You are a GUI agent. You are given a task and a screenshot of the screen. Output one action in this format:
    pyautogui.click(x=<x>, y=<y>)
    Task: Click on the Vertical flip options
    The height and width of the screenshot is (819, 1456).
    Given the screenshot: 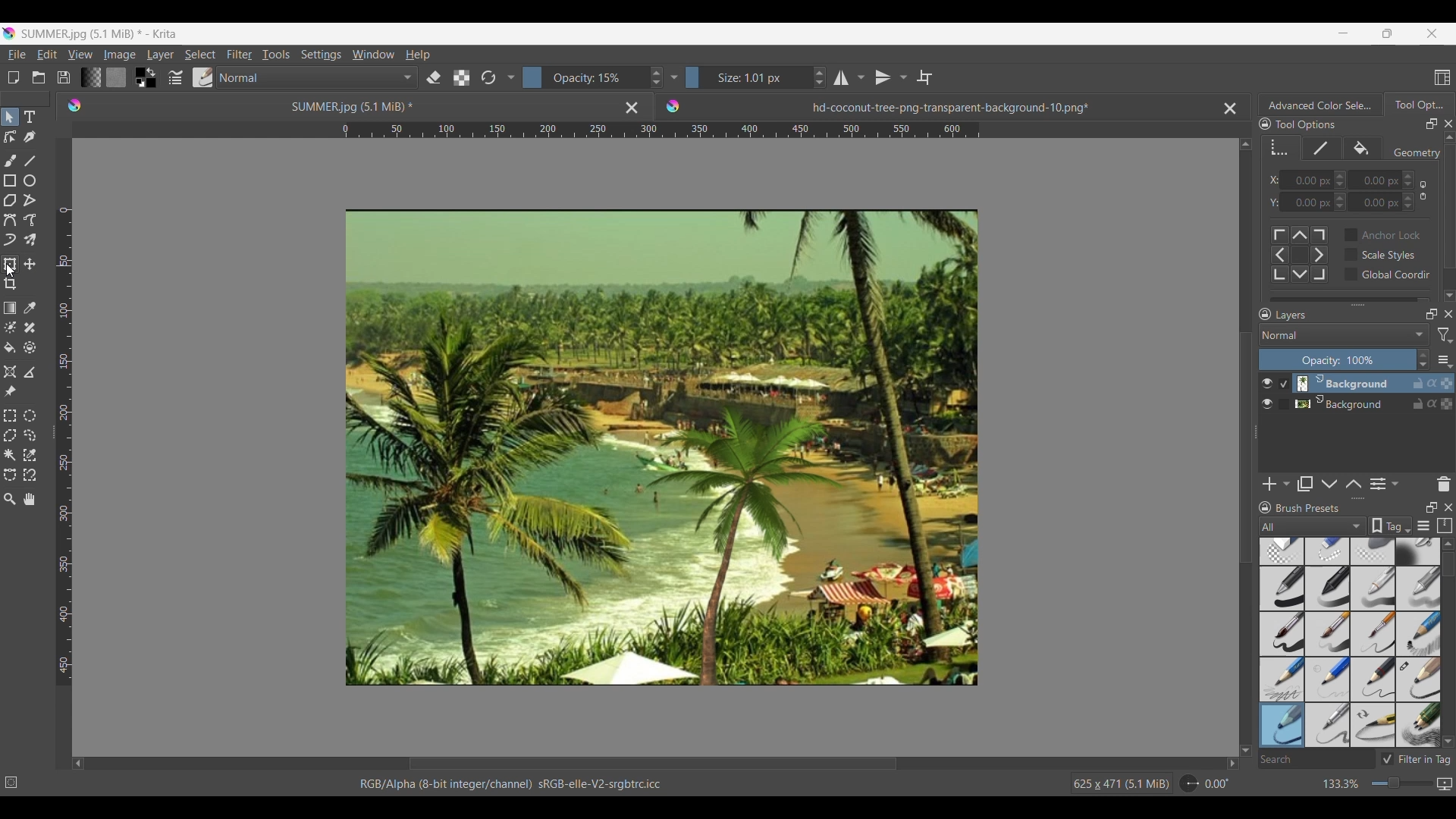 What is the action you would take?
    pyautogui.click(x=902, y=77)
    